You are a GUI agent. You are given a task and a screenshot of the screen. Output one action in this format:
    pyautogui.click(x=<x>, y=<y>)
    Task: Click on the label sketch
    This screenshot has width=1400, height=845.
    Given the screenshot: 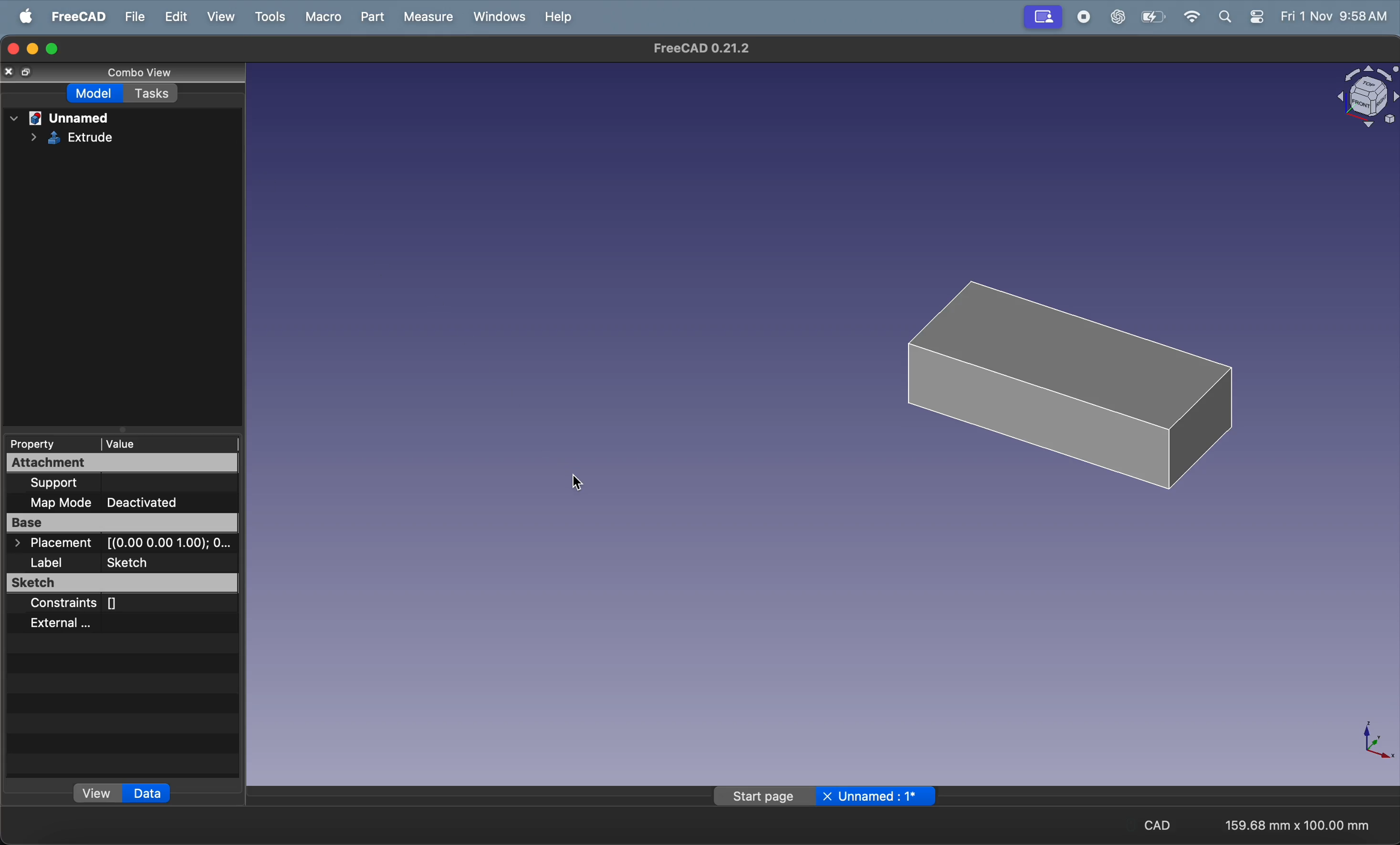 What is the action you would take?
    pyautogui.click(x=126, y=563)
    